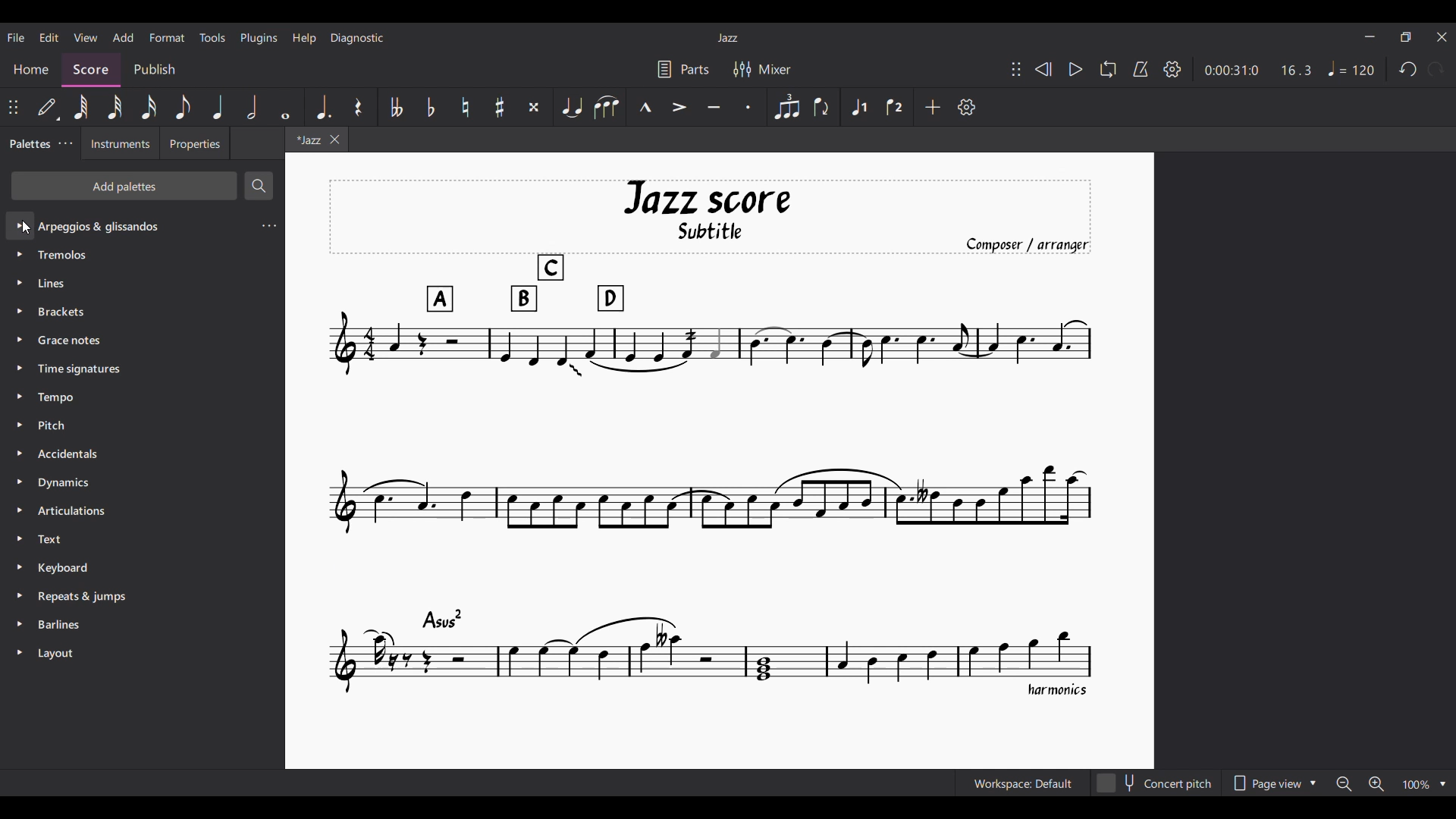 The width and height of the screenshot is (1456, 819). I want to click on File menu, so click(16, 37).